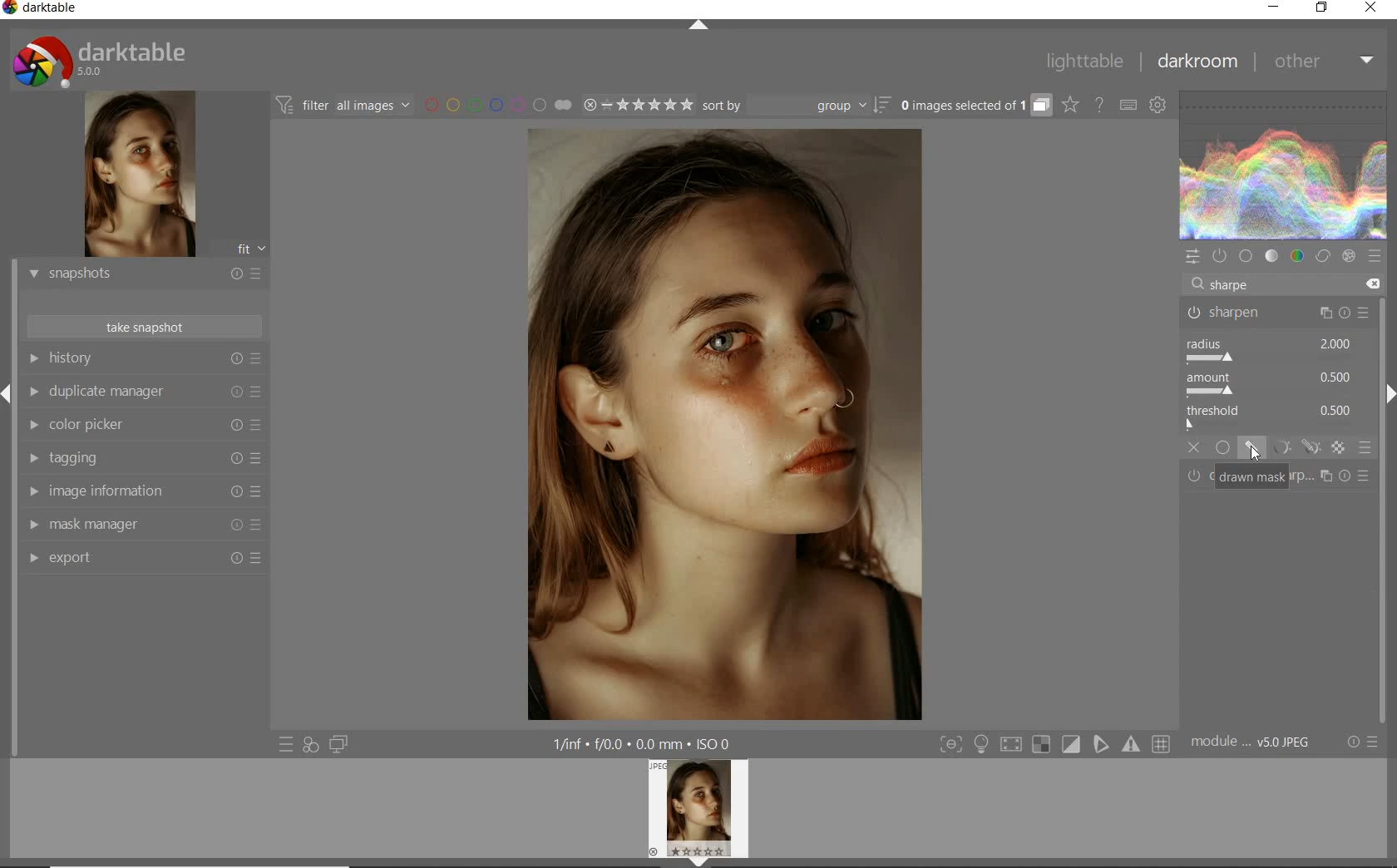 This screenshot has width=1397, height=868. What do you see at coordinates (645, 744) in the screenshot?
I see `other display information` at bounding box center [645, 744].